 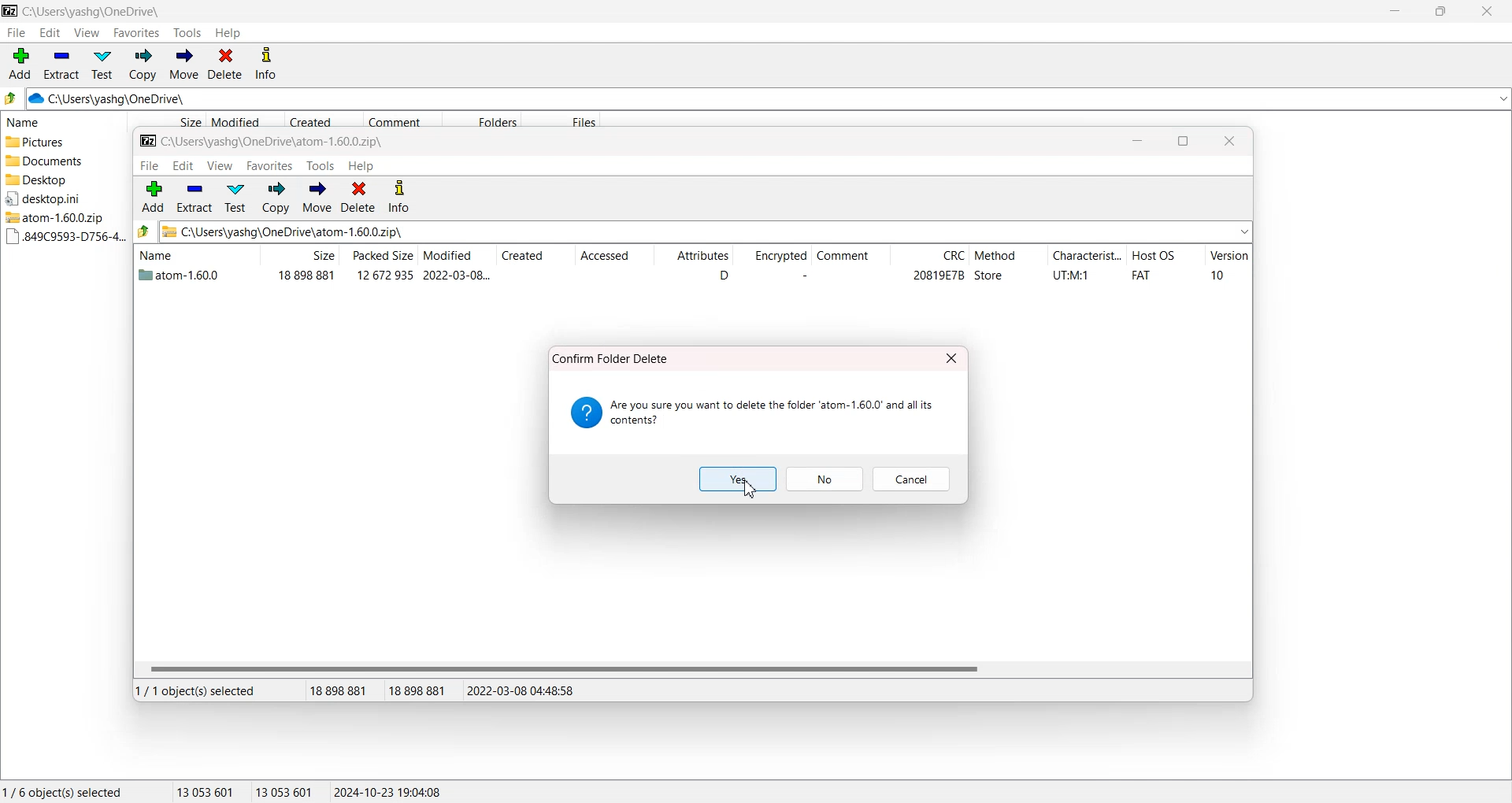 What do you see at coordinates (1071, 276) in the screenshot?
I see `UT:M:1` at bounding box center [1071, 276].